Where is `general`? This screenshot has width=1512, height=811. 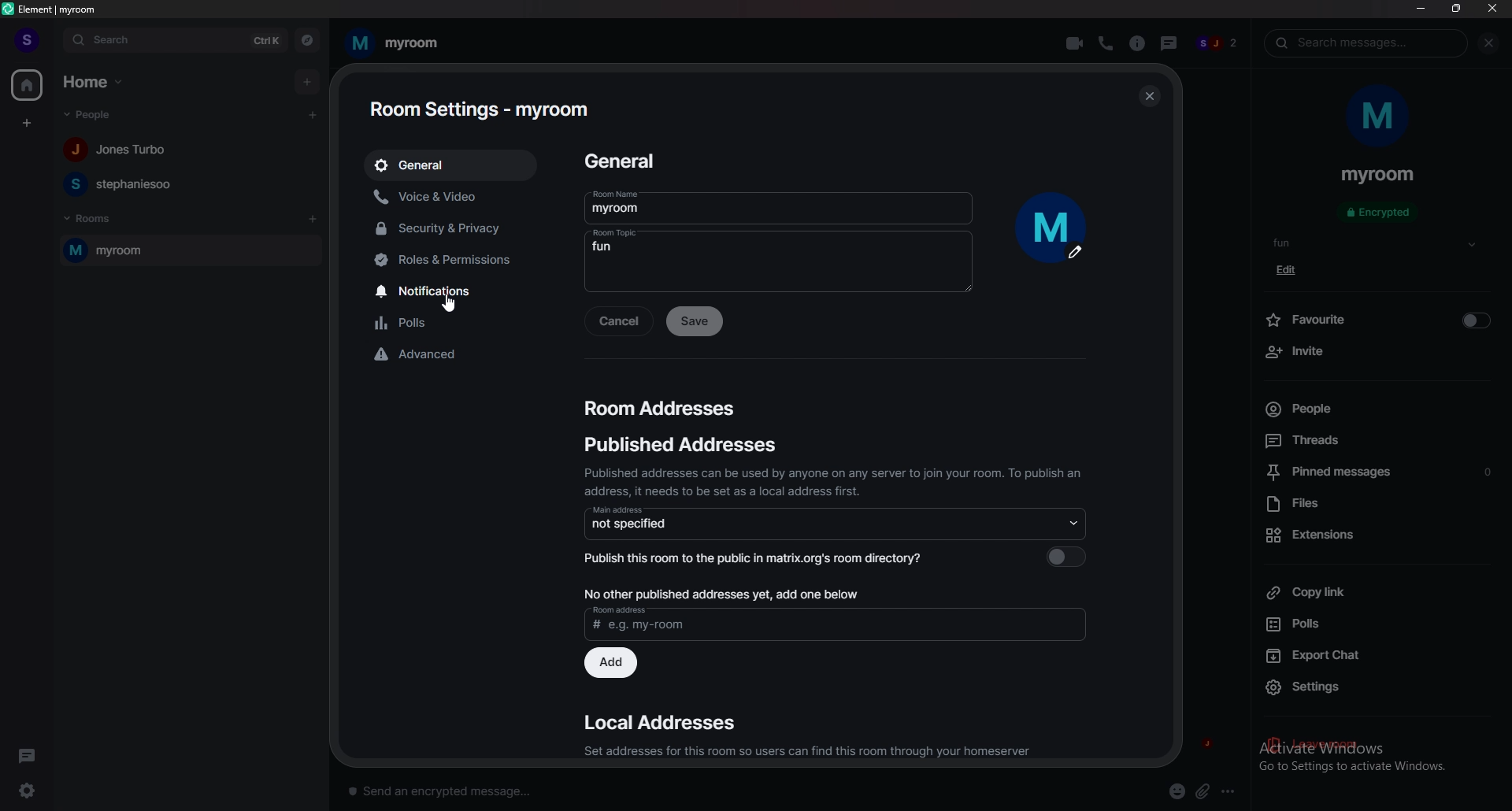
general is located at coordinates (452, 165).